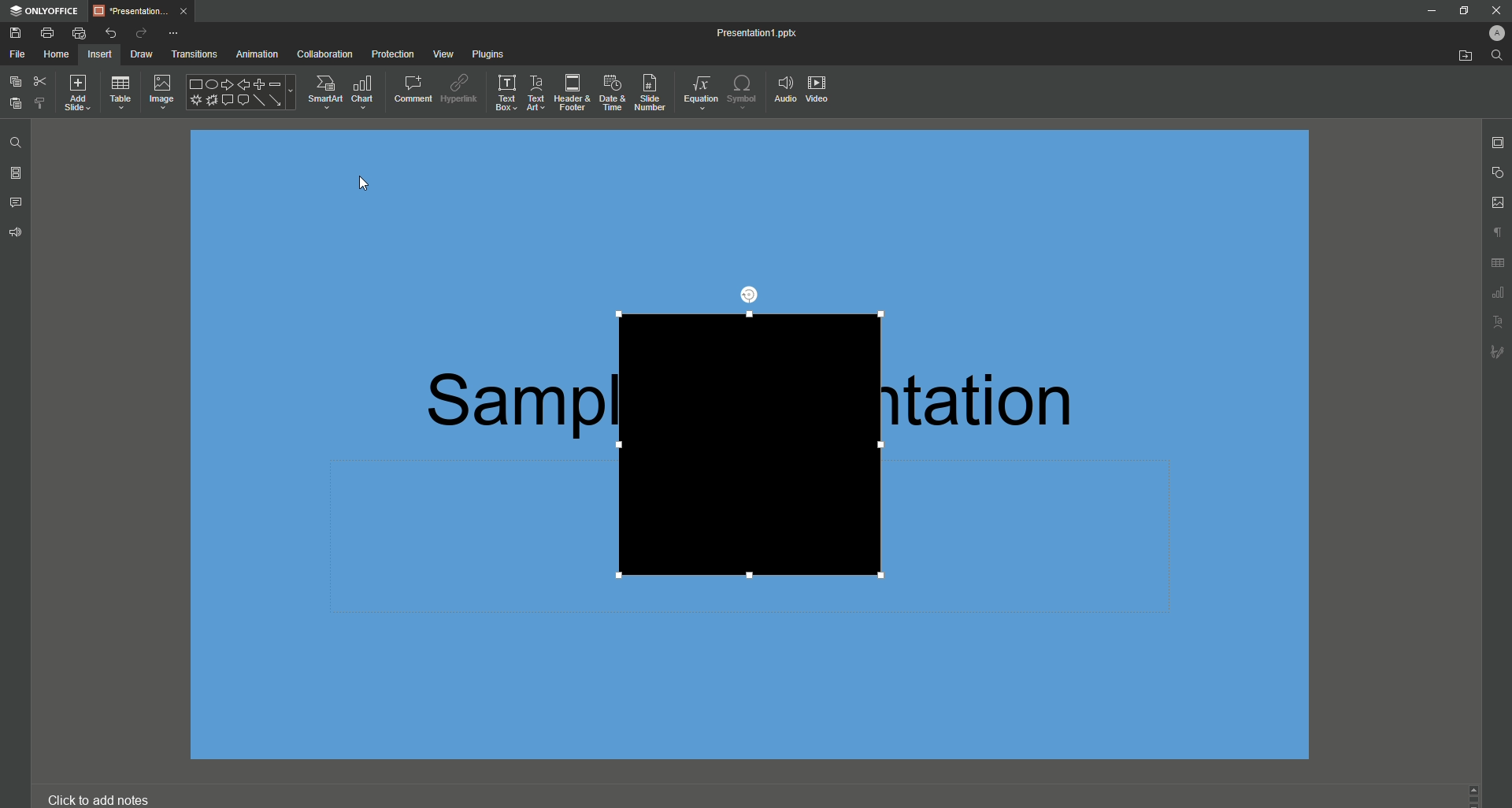 Image resolution: width=1512 pixels, height=808 pixels. I want to click on Shape Settings, so click(1496, 172).